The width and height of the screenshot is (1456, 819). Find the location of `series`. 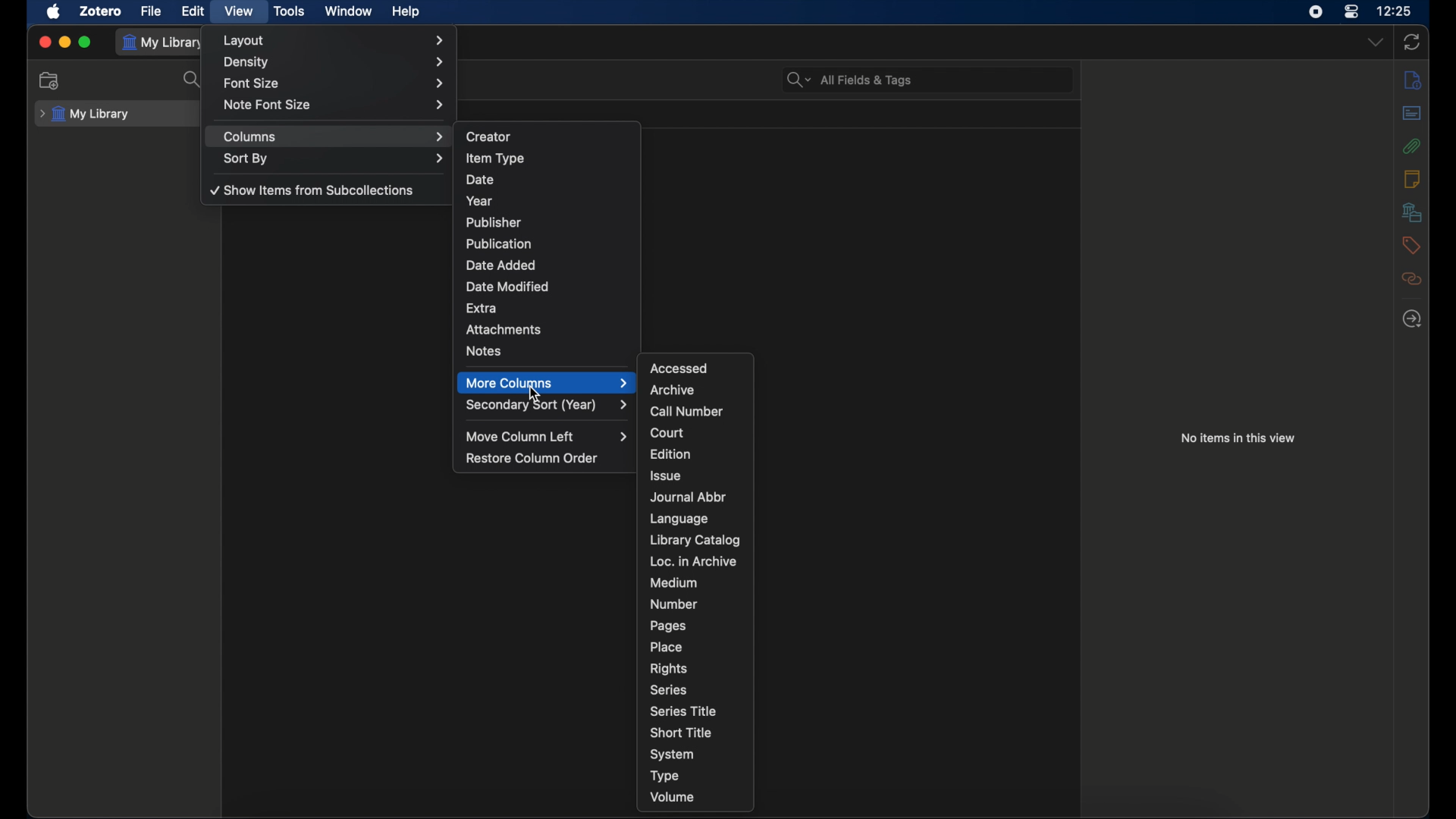

series is located at coordinates (668, 690).